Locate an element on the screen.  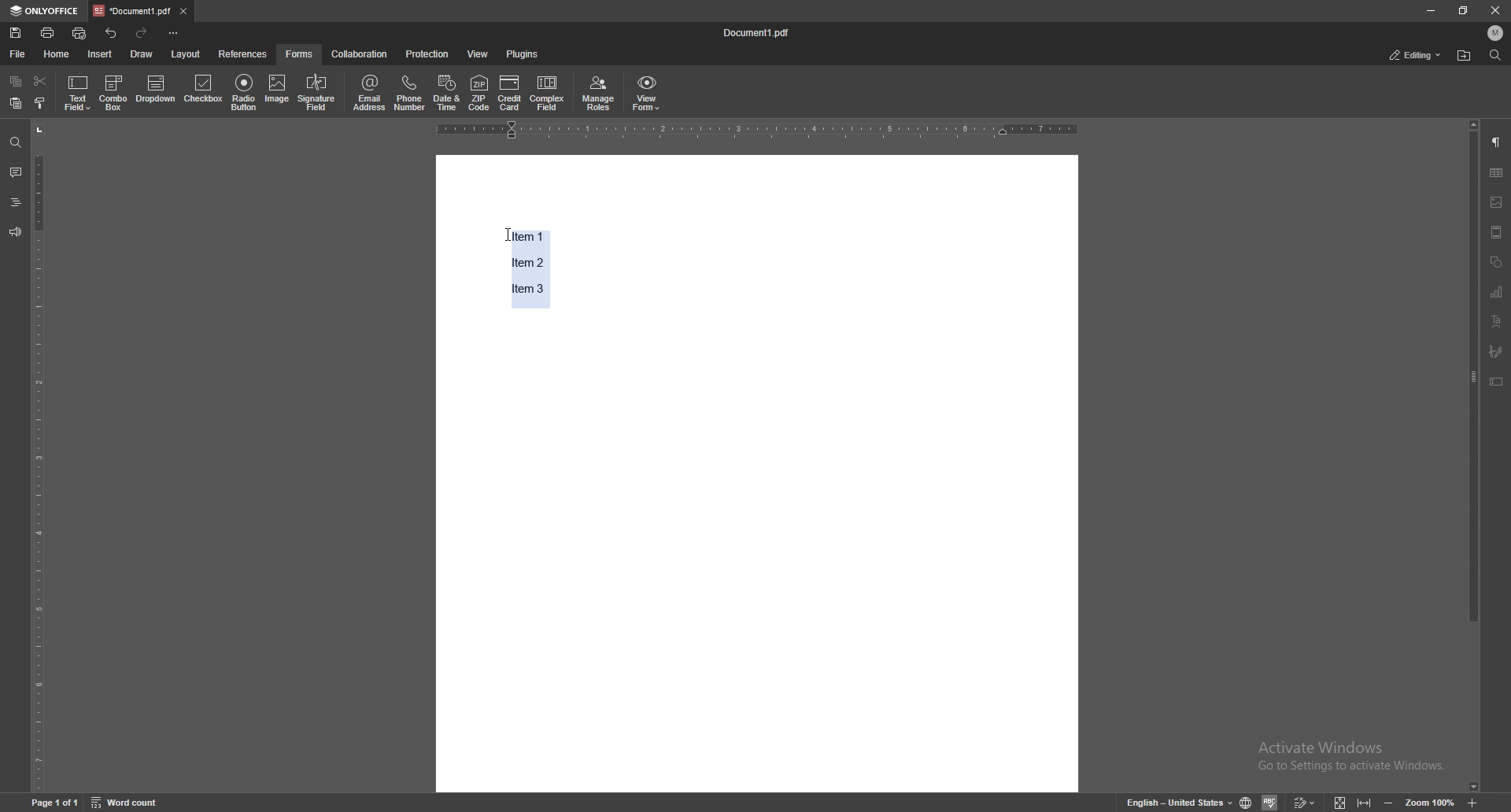
find is located at coordinates (1495, 55).